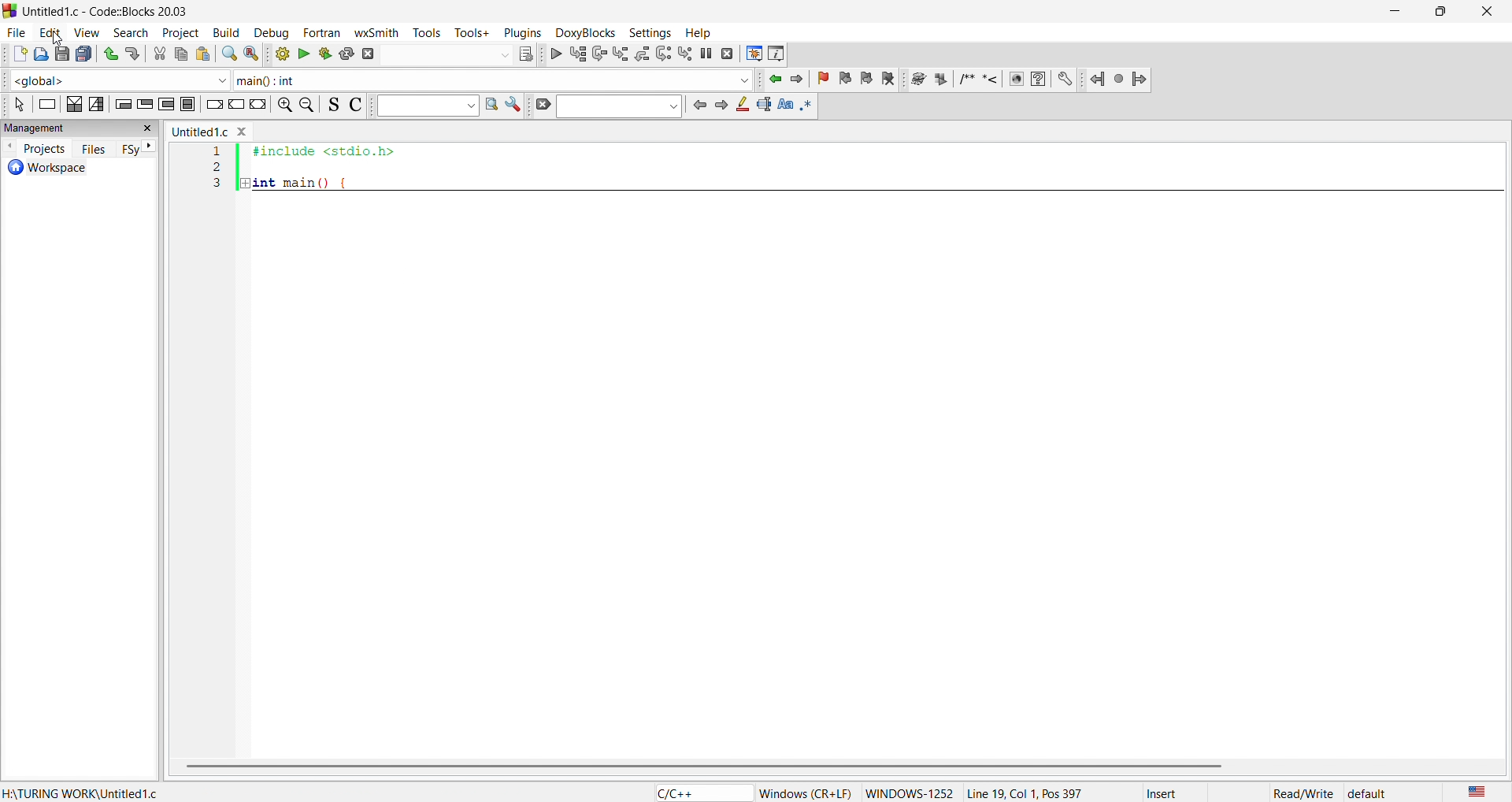 This screenshot has width=1512, height=802. I want to click on jump back, so click(1099, 79).